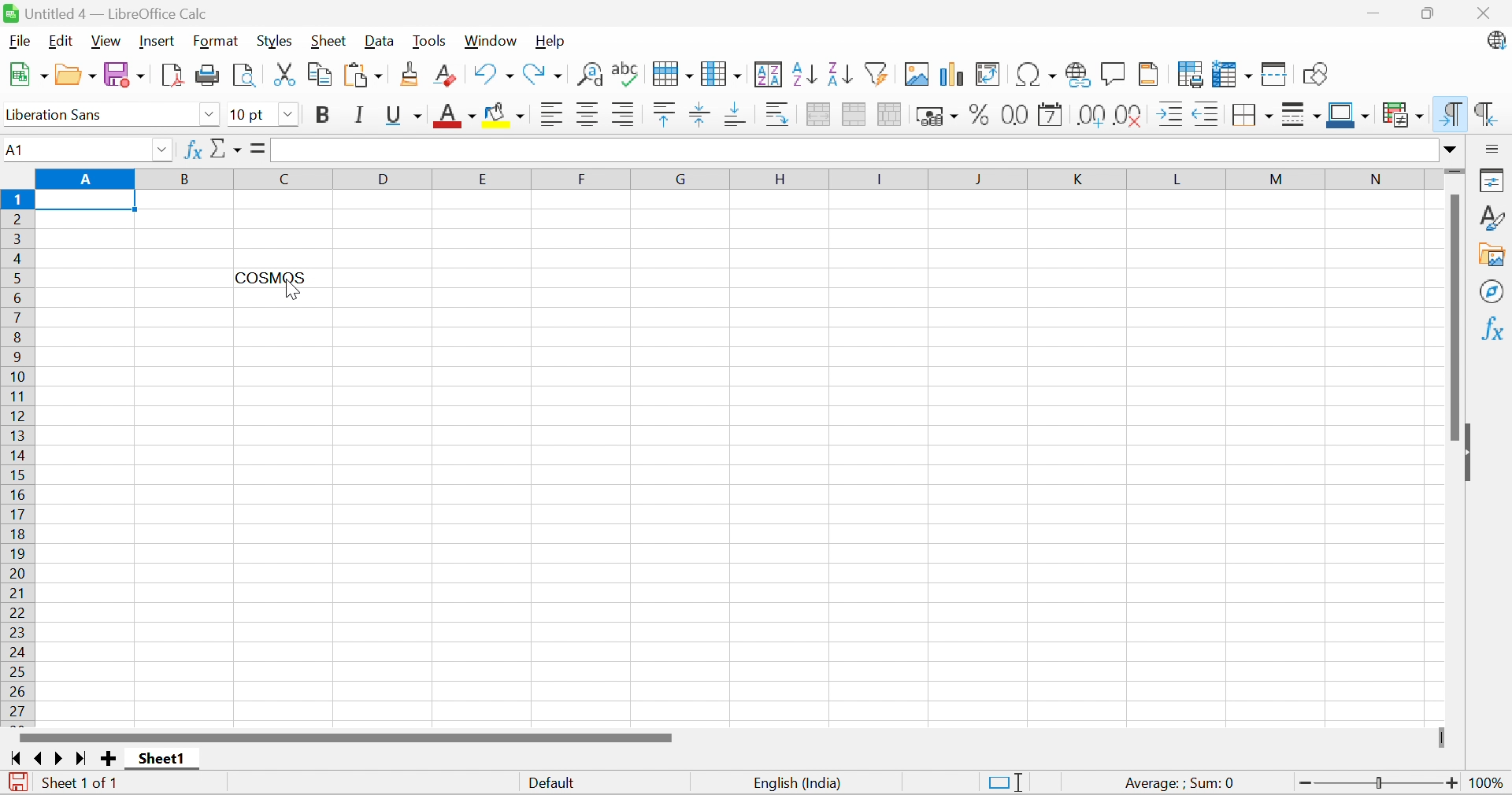 The height and width of the screenshot is (795, 1512). What do you see at coordinates (1251, 117) in the screenshot?
I see `Borders` at bounding box center [1251, 117].